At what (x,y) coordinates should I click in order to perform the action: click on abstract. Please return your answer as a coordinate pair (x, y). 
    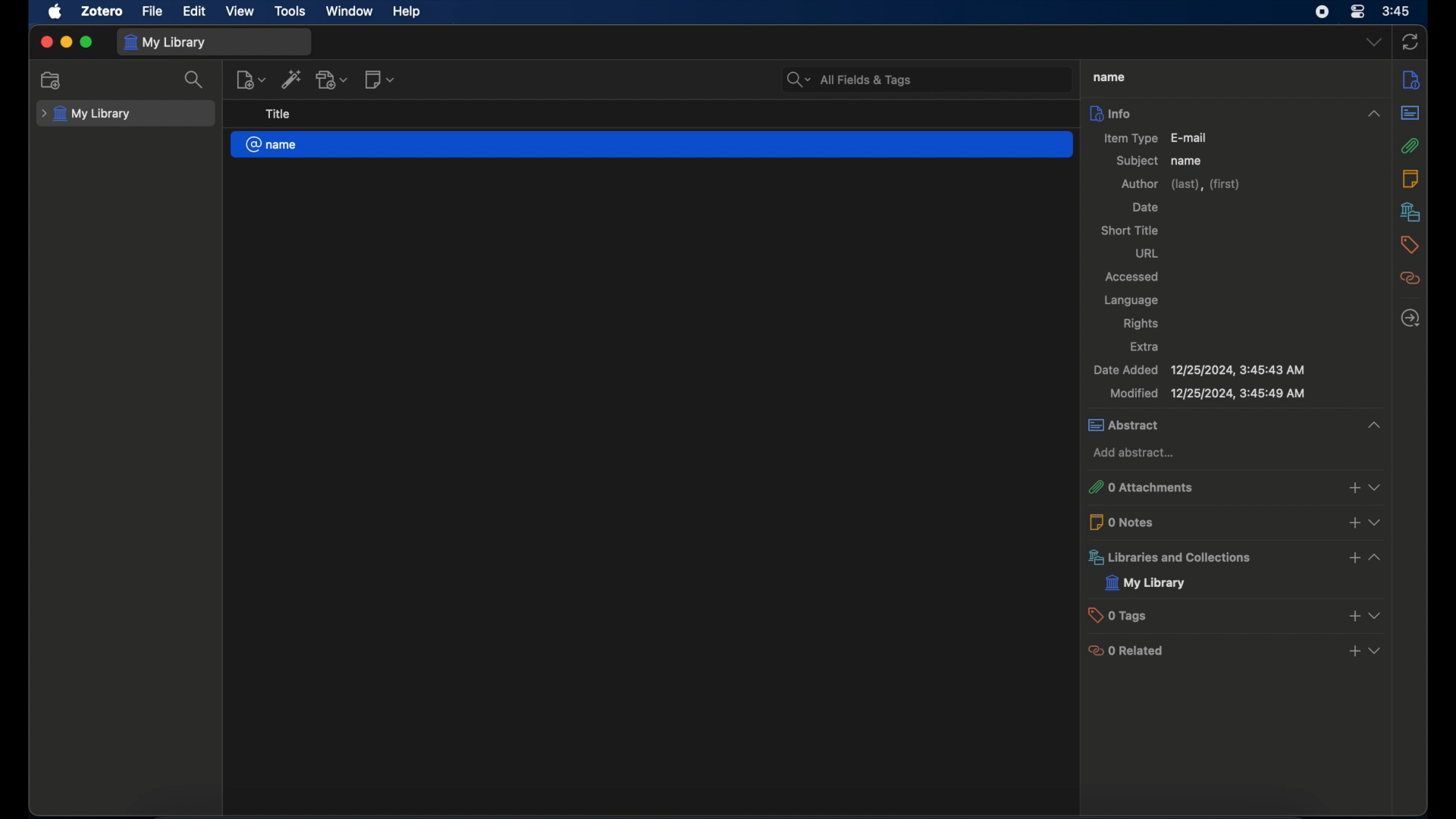
    Looking at the image, I should click on (1234, 425).